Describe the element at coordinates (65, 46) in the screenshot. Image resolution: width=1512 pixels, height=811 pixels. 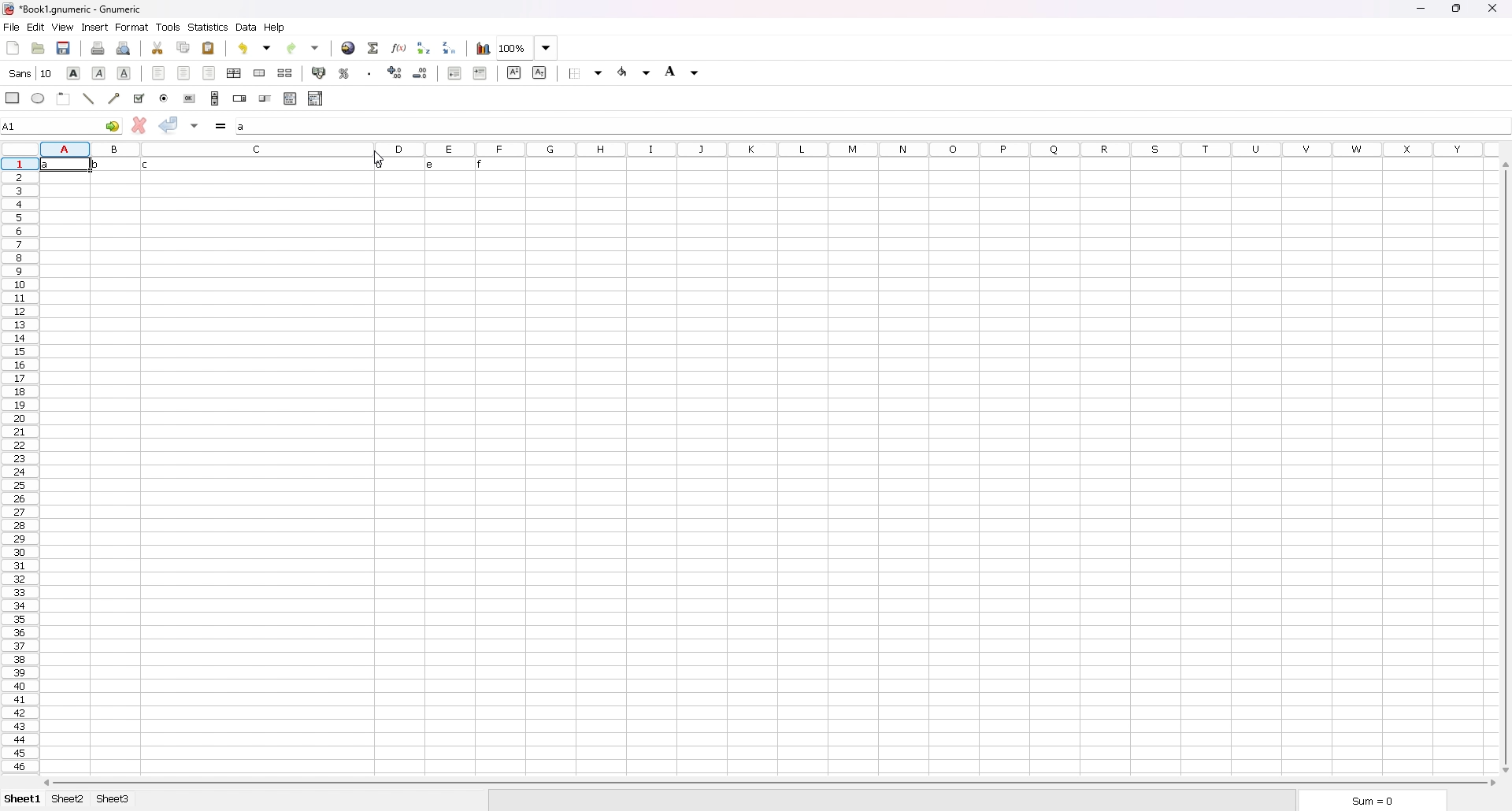
I see `save` at that location.